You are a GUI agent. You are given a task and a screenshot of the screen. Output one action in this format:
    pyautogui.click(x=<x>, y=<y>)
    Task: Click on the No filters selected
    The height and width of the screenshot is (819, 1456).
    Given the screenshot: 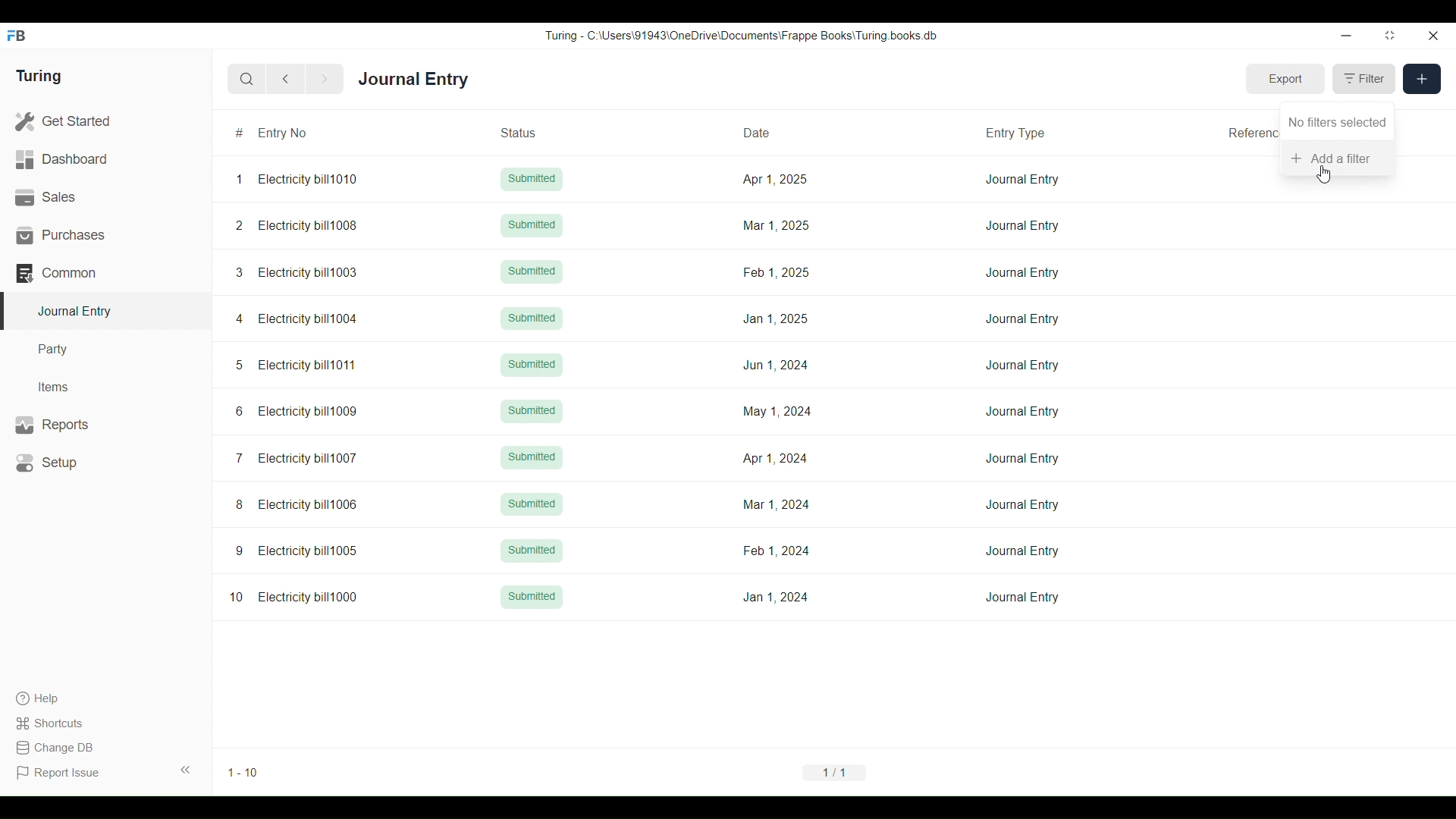 What is the action you would take?
    pyautogui.click(x=1338, y=122)
    